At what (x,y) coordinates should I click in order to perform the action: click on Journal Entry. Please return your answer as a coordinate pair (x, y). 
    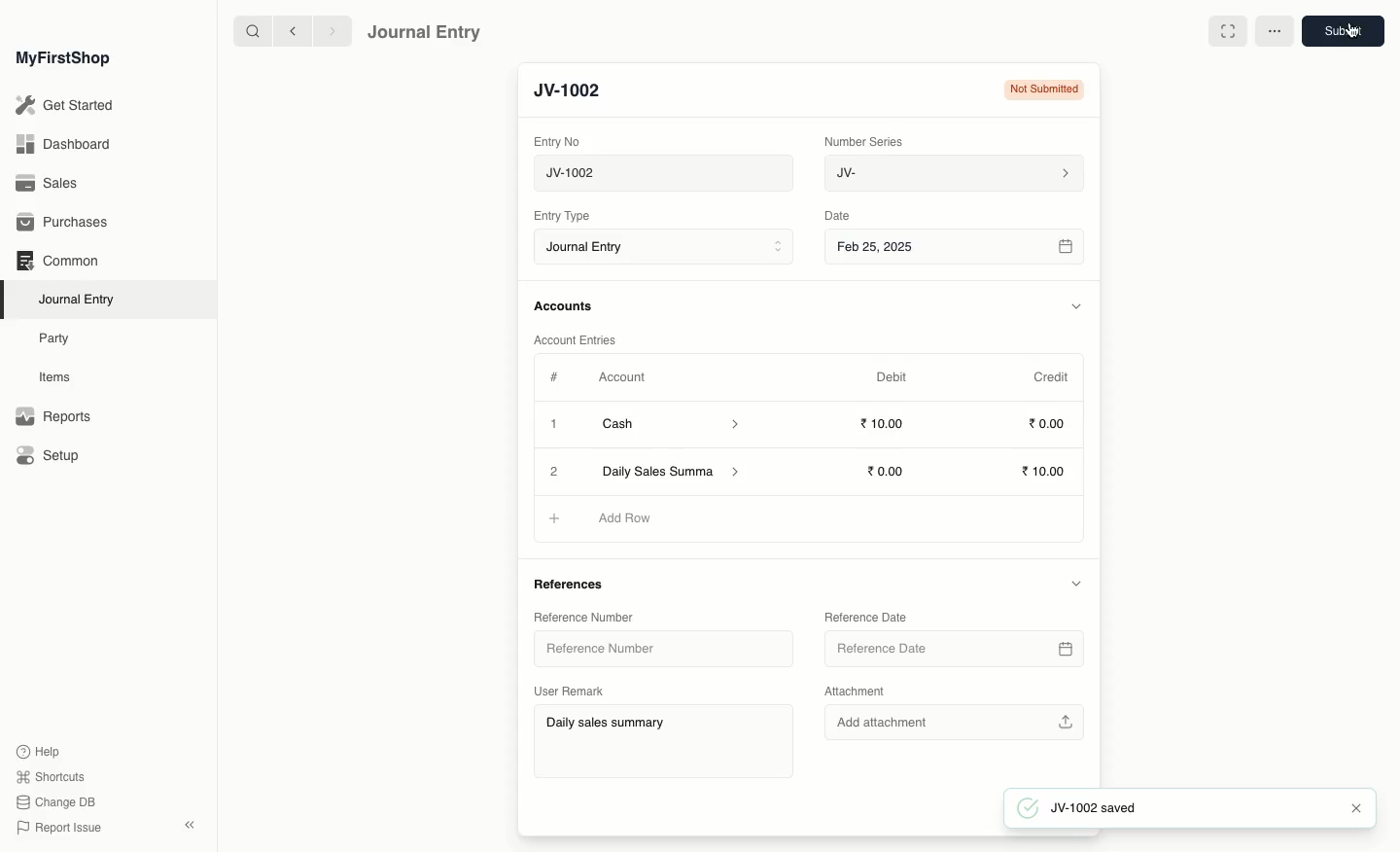
    Looking at the image, I should click on (82, 299).